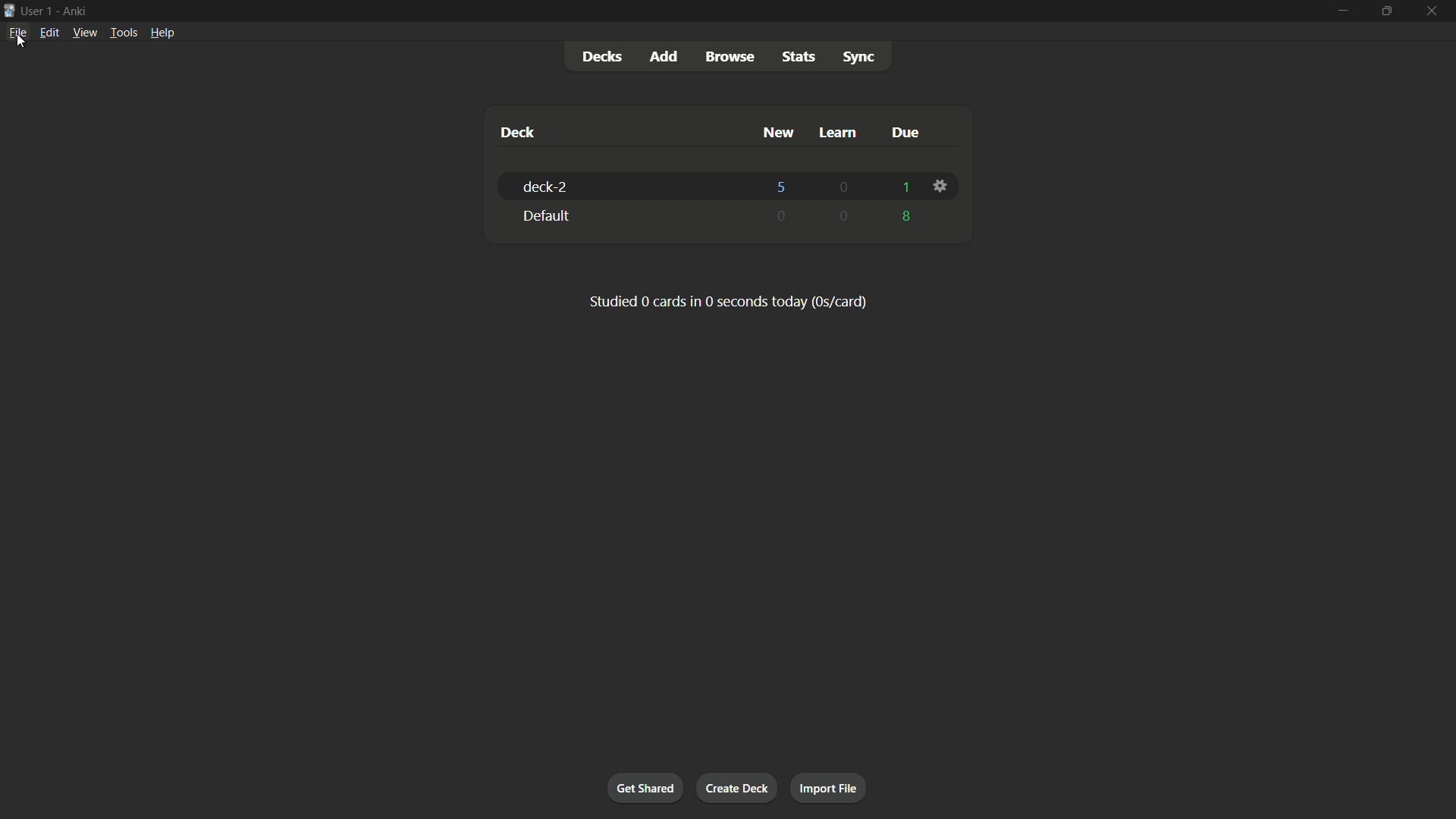  I want to click on 5, so click(783, 185).